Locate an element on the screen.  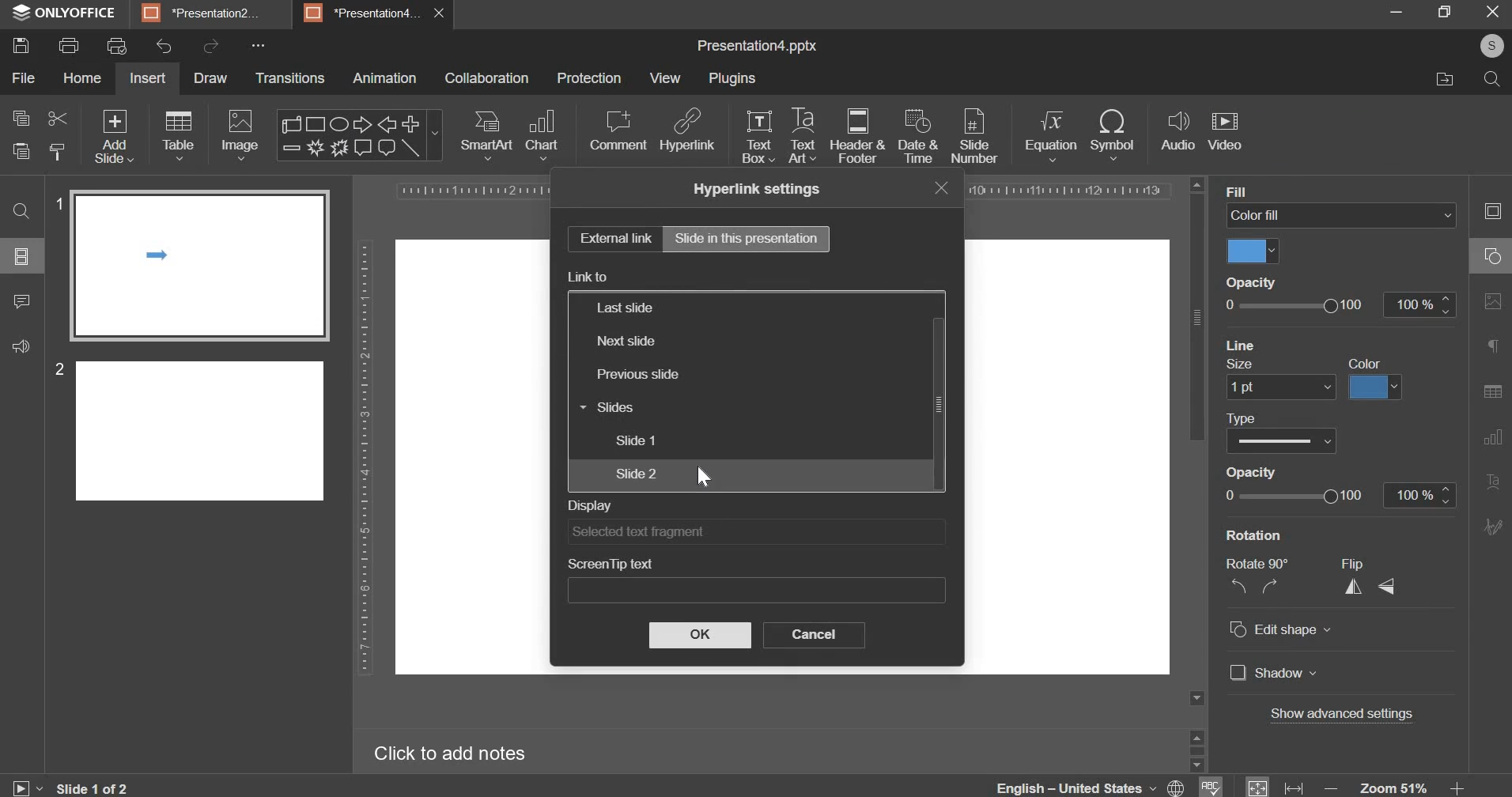
save is located at coordinates (24, 47).